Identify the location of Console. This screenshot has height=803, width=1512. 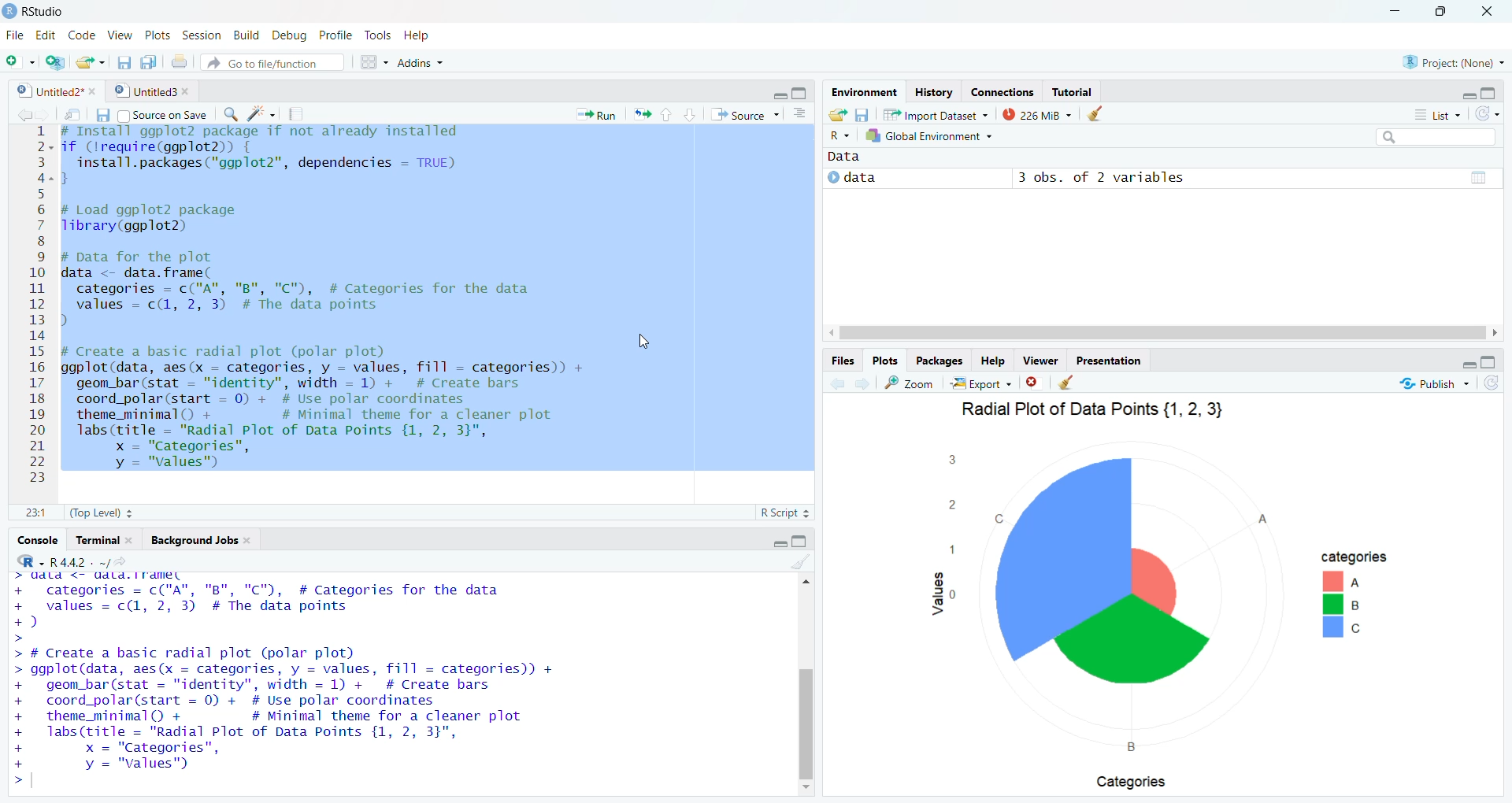
(33, 541).